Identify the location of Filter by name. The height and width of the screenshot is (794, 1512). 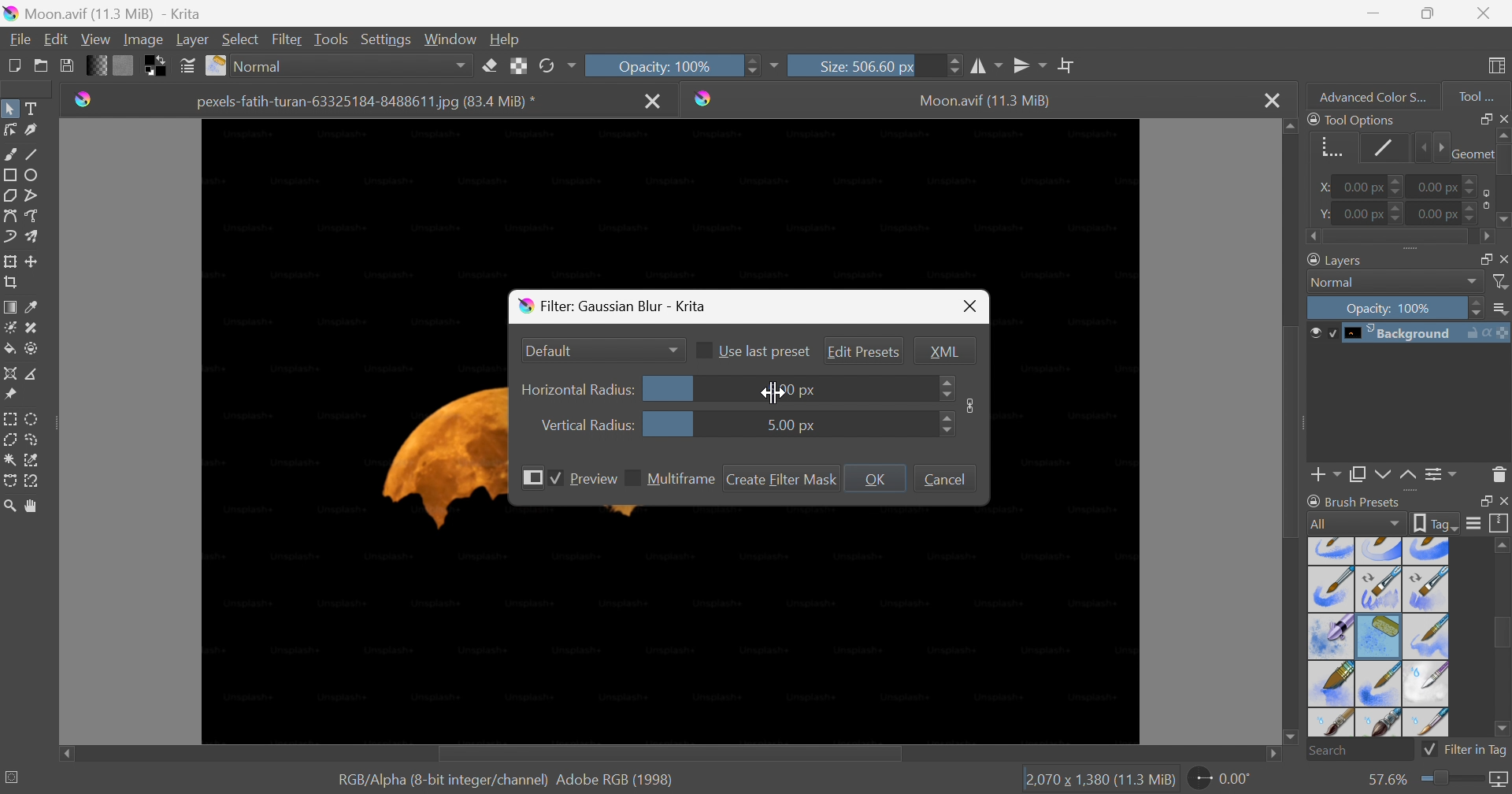
(1501, 280).